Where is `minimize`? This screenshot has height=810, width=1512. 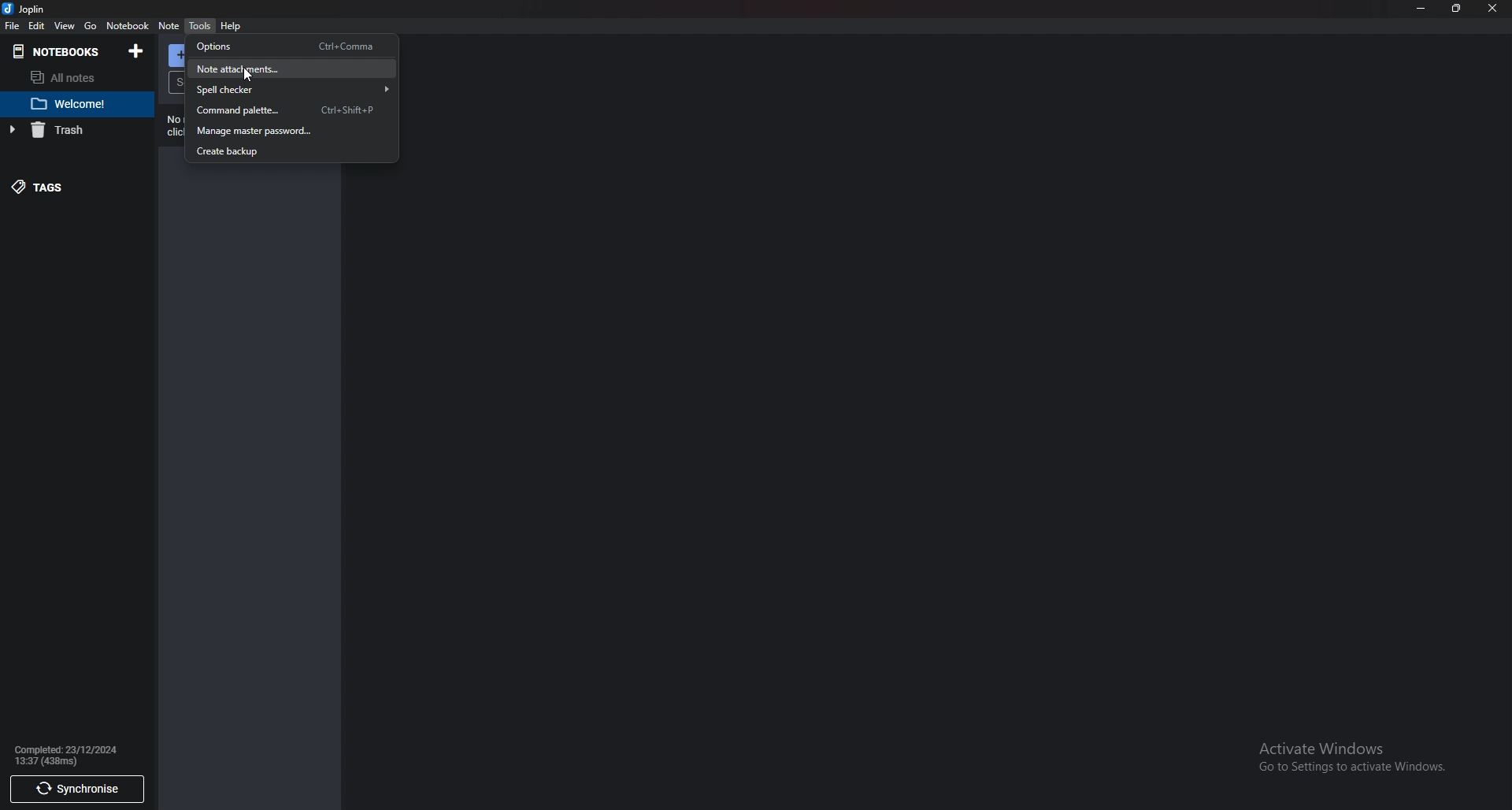 minimize is located at coordinates (1421, 9).